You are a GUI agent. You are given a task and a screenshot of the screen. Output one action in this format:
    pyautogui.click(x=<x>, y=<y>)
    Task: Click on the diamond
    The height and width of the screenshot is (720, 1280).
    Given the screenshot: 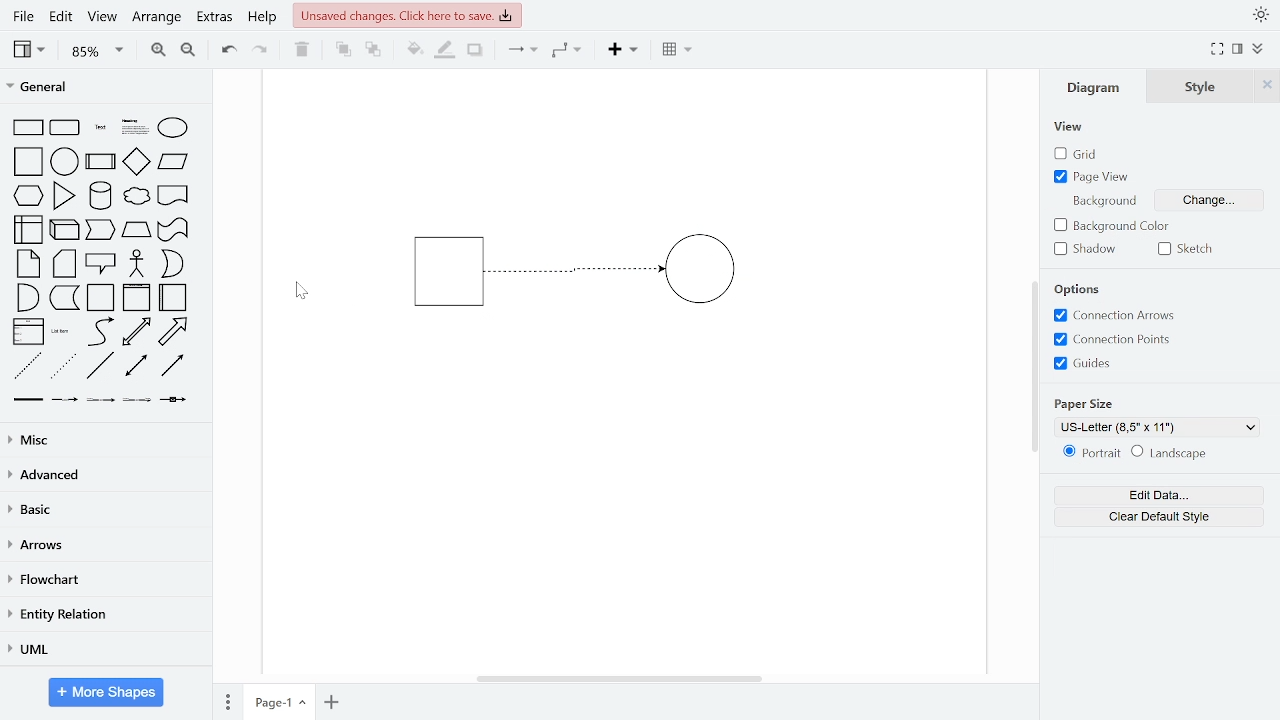 What is the action you would take?
    pyautogui.click(x=136, y=163)
    